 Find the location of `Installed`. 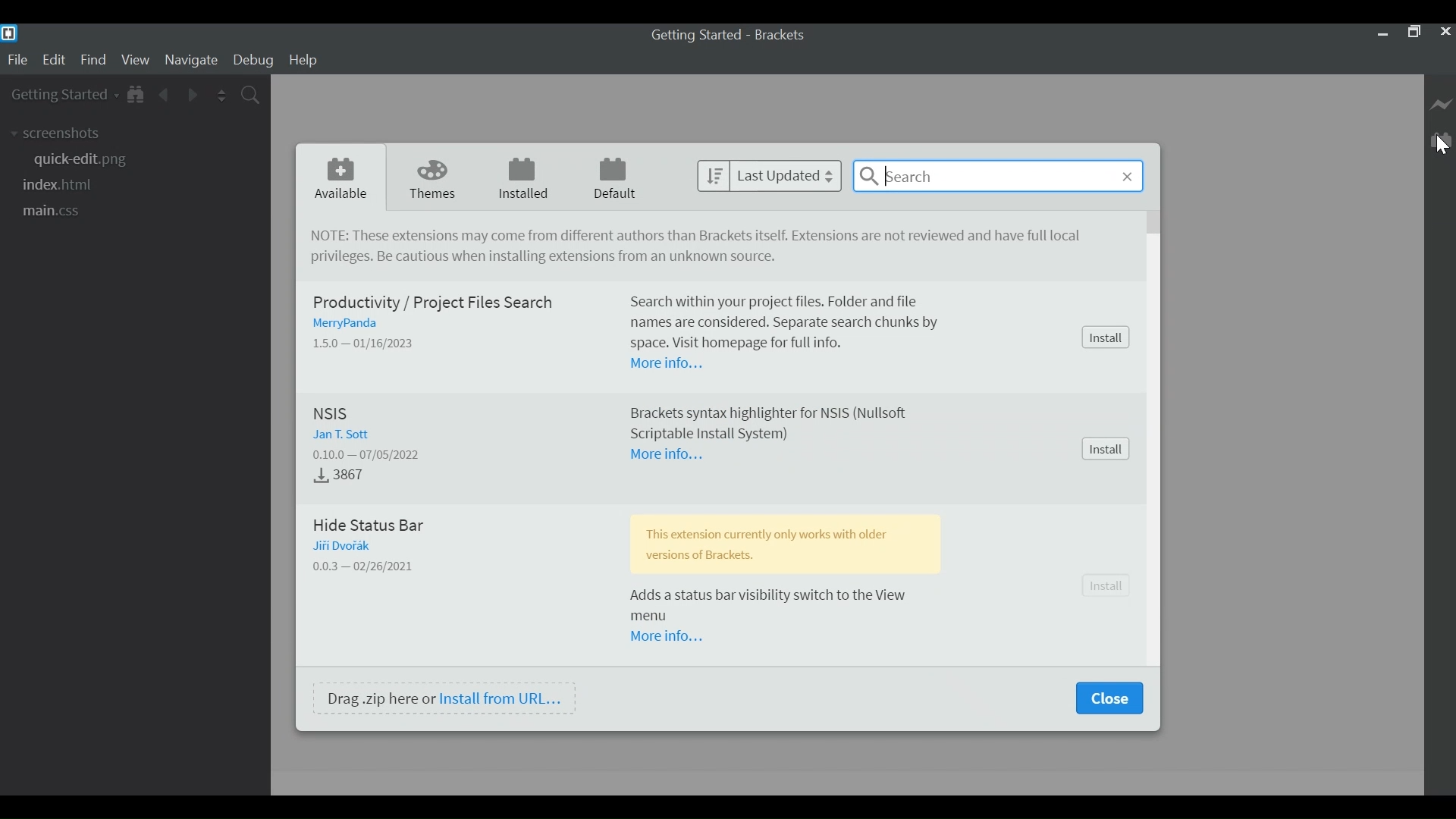

Installed is located at coordinates (342, 475).